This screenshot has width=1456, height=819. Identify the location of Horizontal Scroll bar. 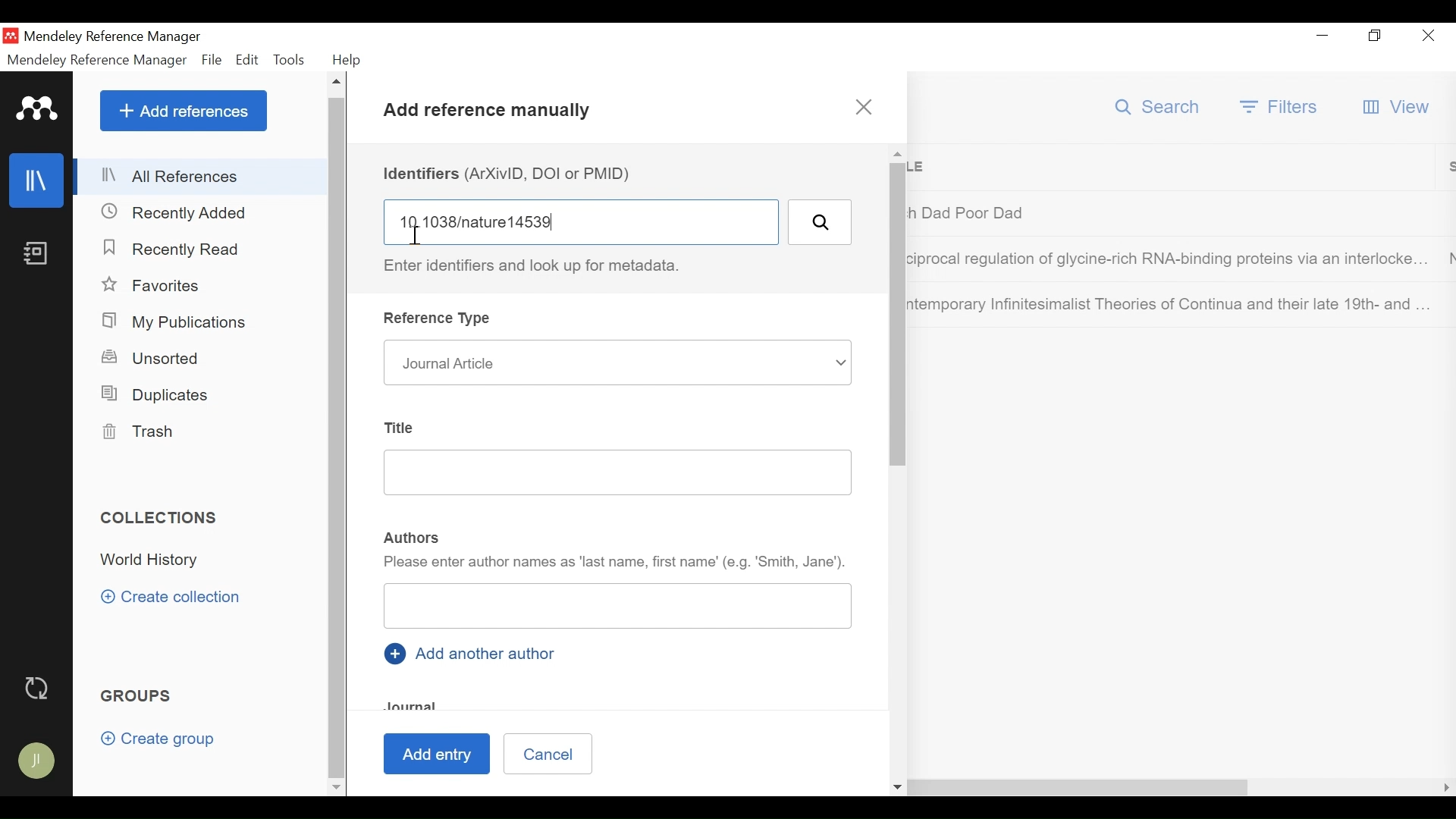
(808, 788).